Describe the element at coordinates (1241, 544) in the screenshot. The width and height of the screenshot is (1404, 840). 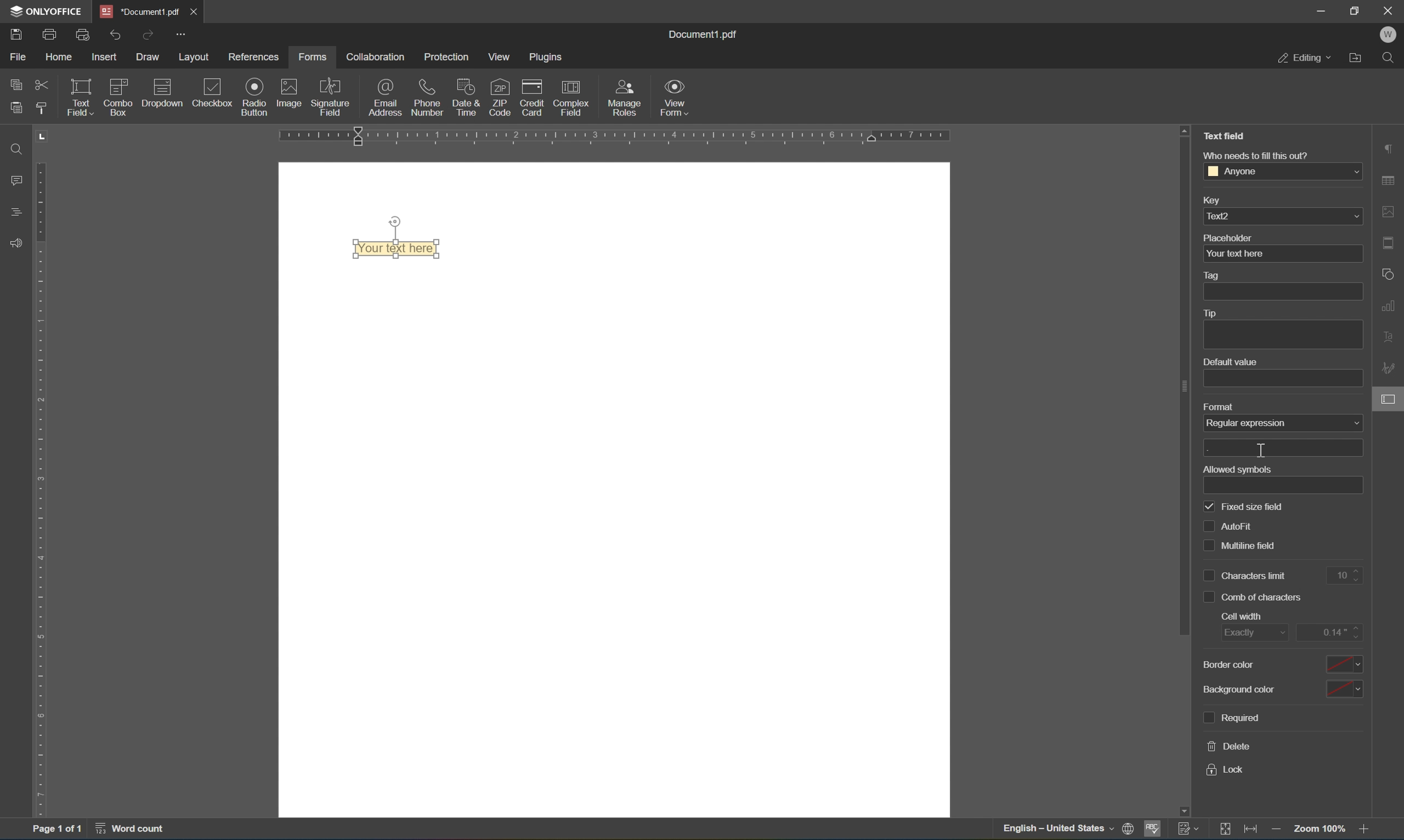
I see `multiline field` at that location.